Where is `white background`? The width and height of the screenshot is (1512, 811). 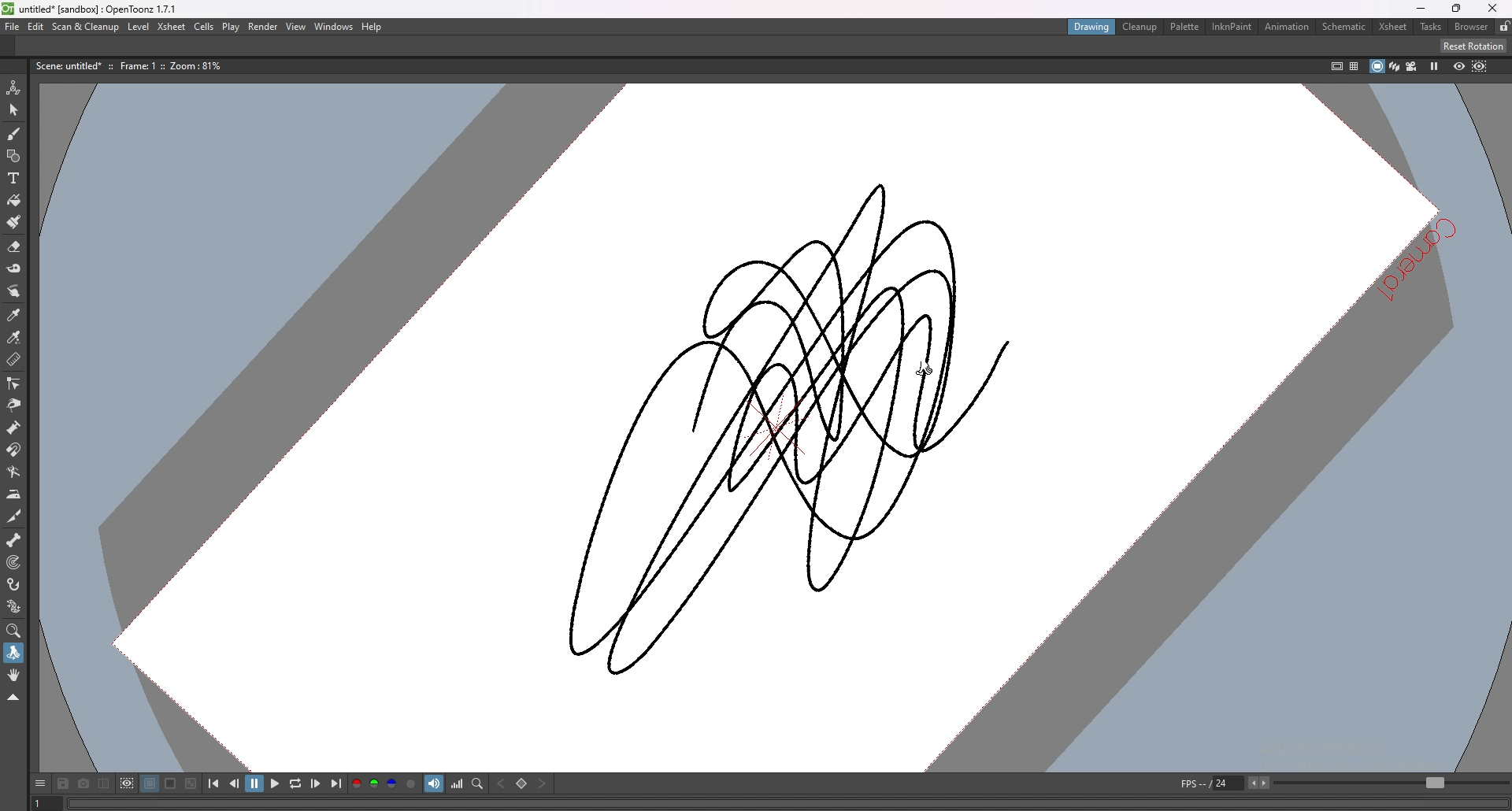 white background is located at coordinates (171, 784).